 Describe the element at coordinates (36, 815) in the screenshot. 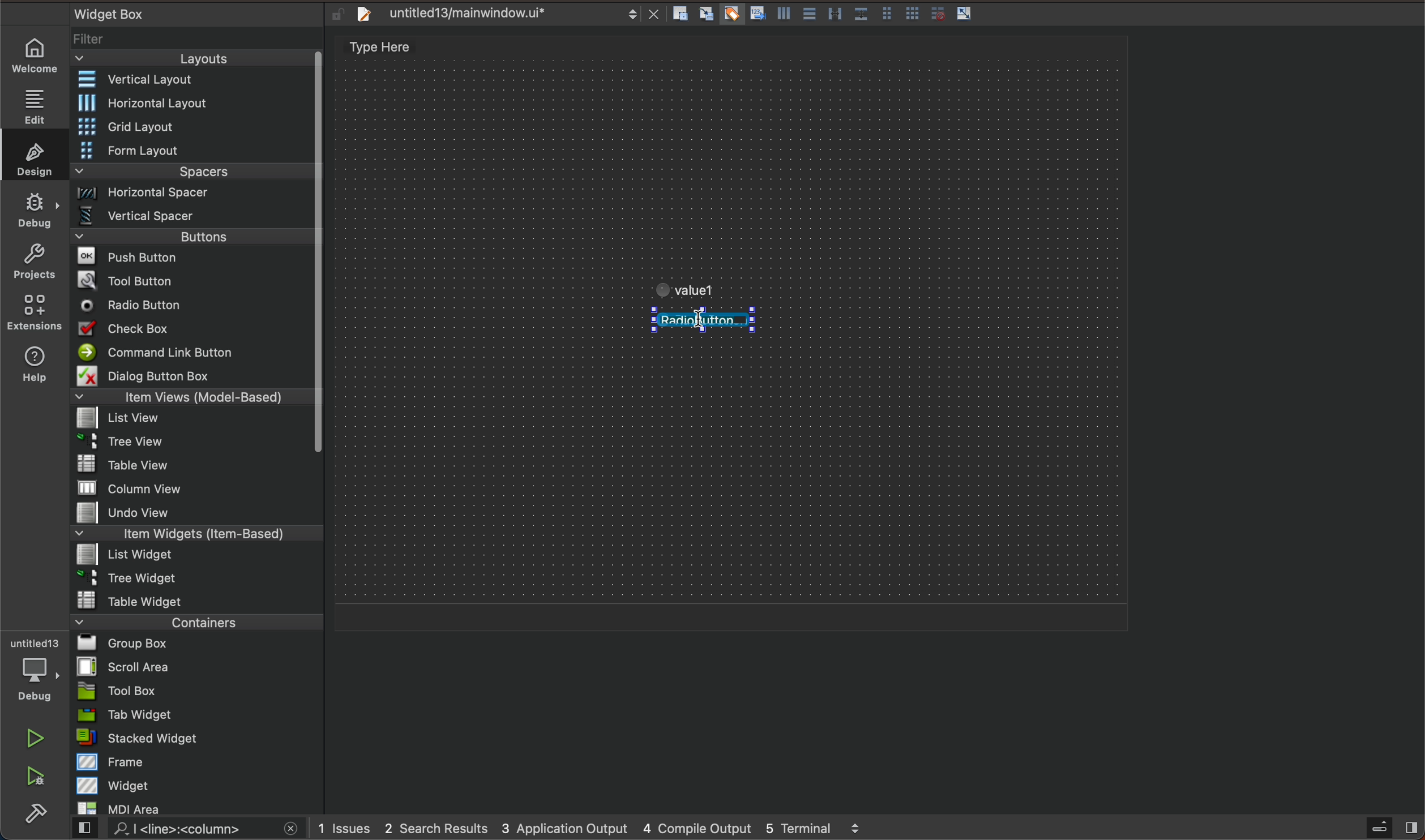

I see `build` at that location.